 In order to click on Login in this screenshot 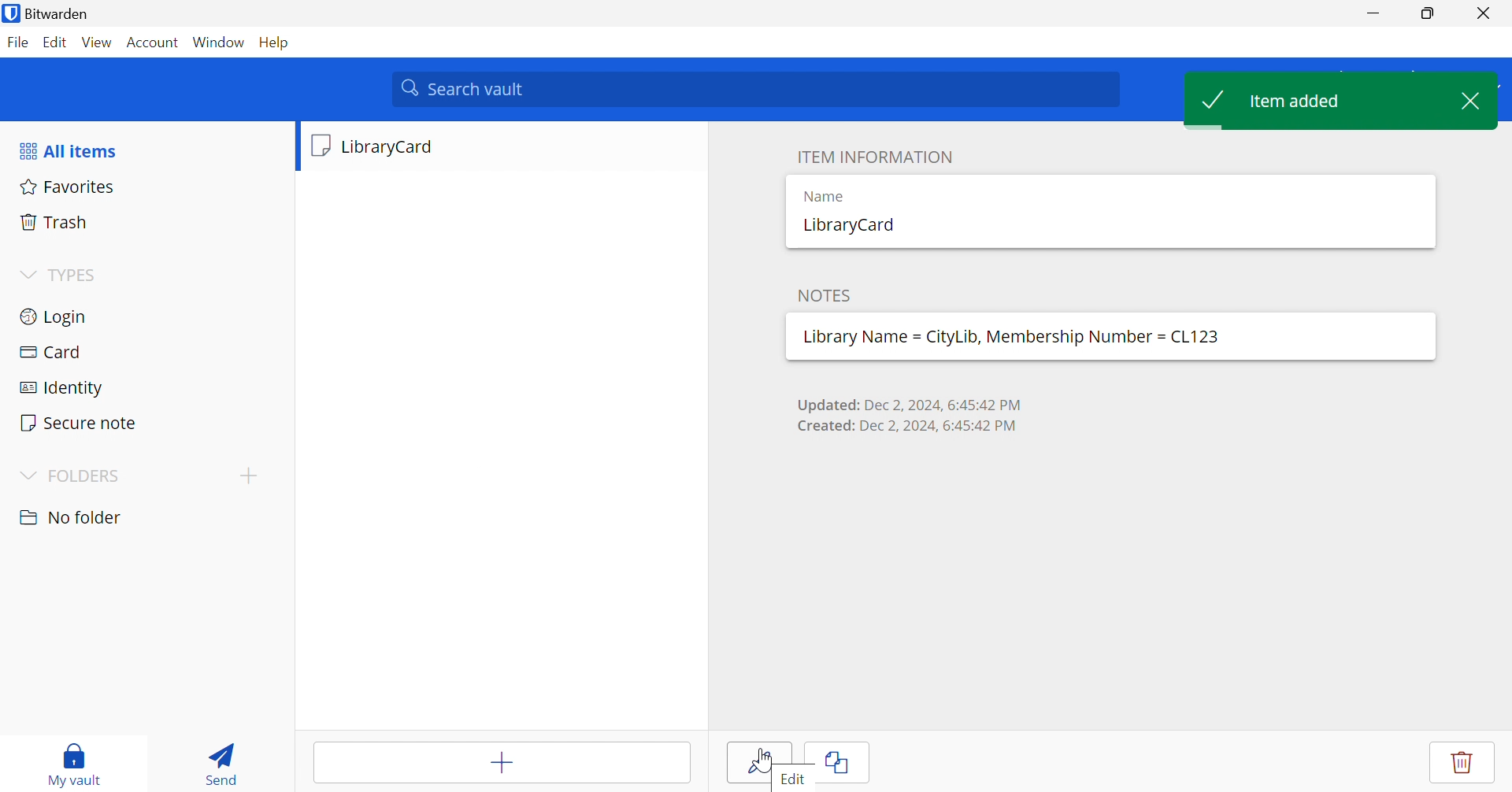, I will do `click(143, 316)`.